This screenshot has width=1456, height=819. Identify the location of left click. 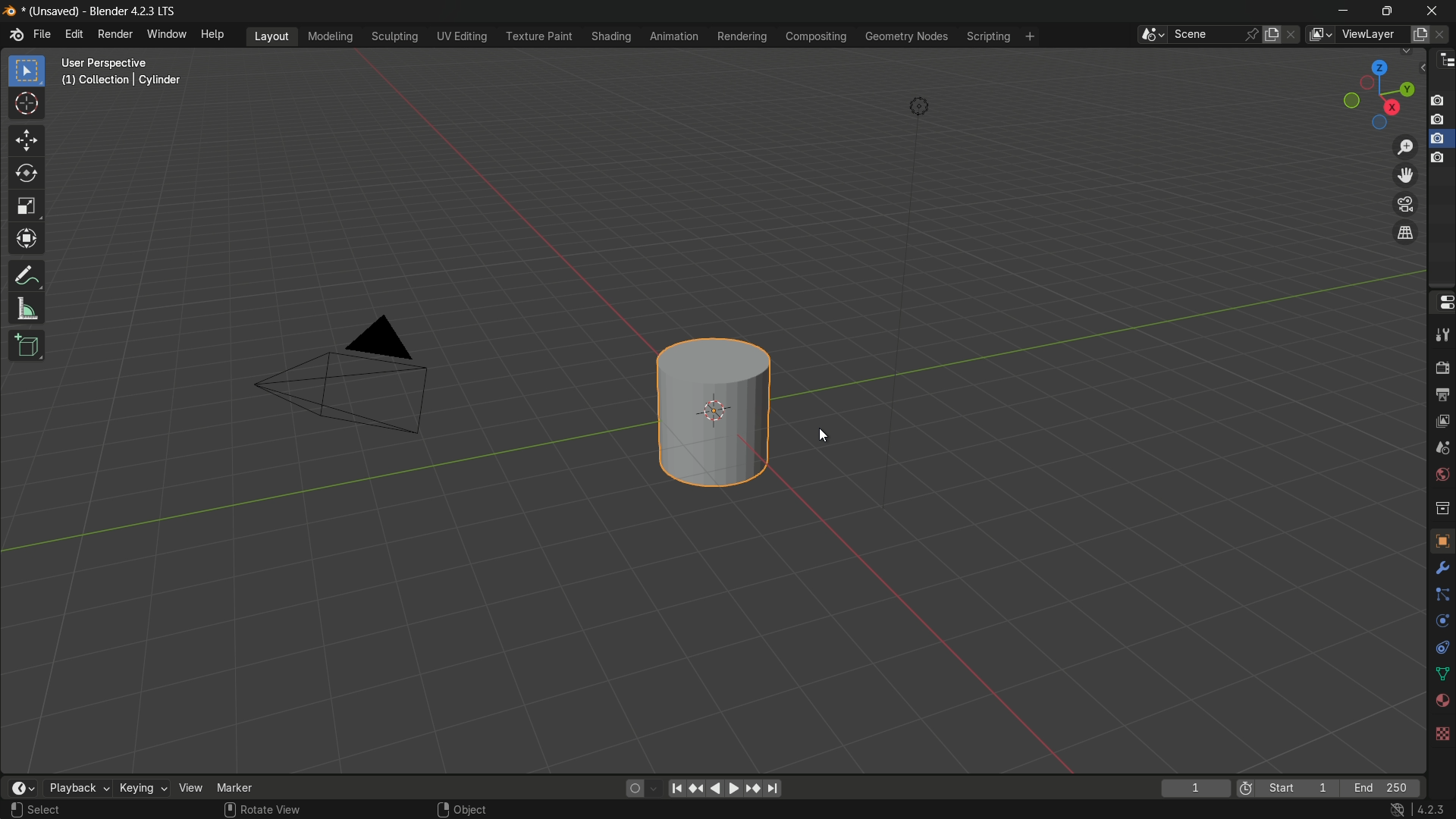
(17, 811).